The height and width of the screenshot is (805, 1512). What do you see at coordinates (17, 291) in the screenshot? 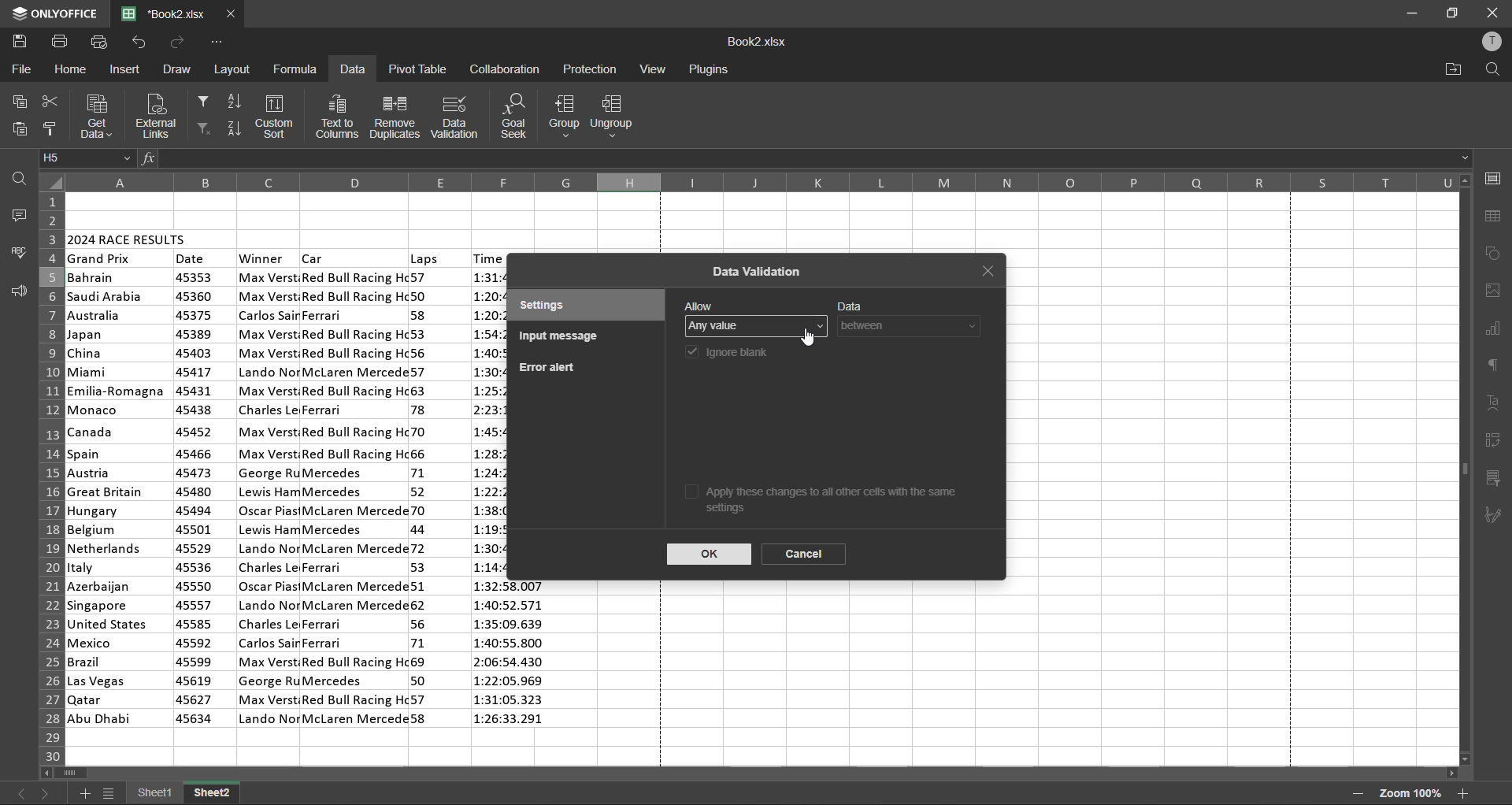
I see `feedback` at bounding box center [17, 291].